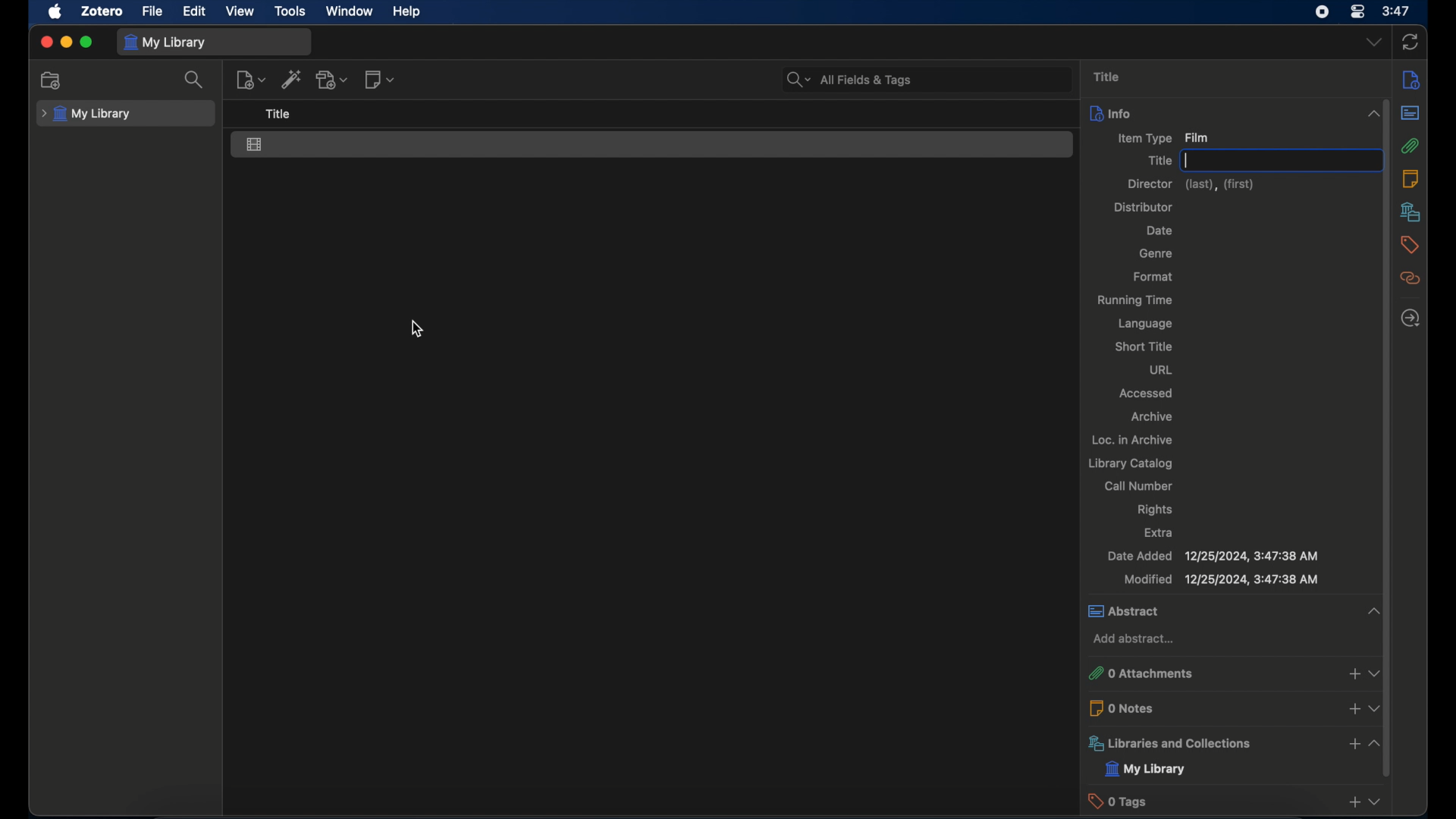 This screenshot has width=1456, height=819. Describe the element at coordinates (1411, 318) in the screenshot. I see `locate` at that location.